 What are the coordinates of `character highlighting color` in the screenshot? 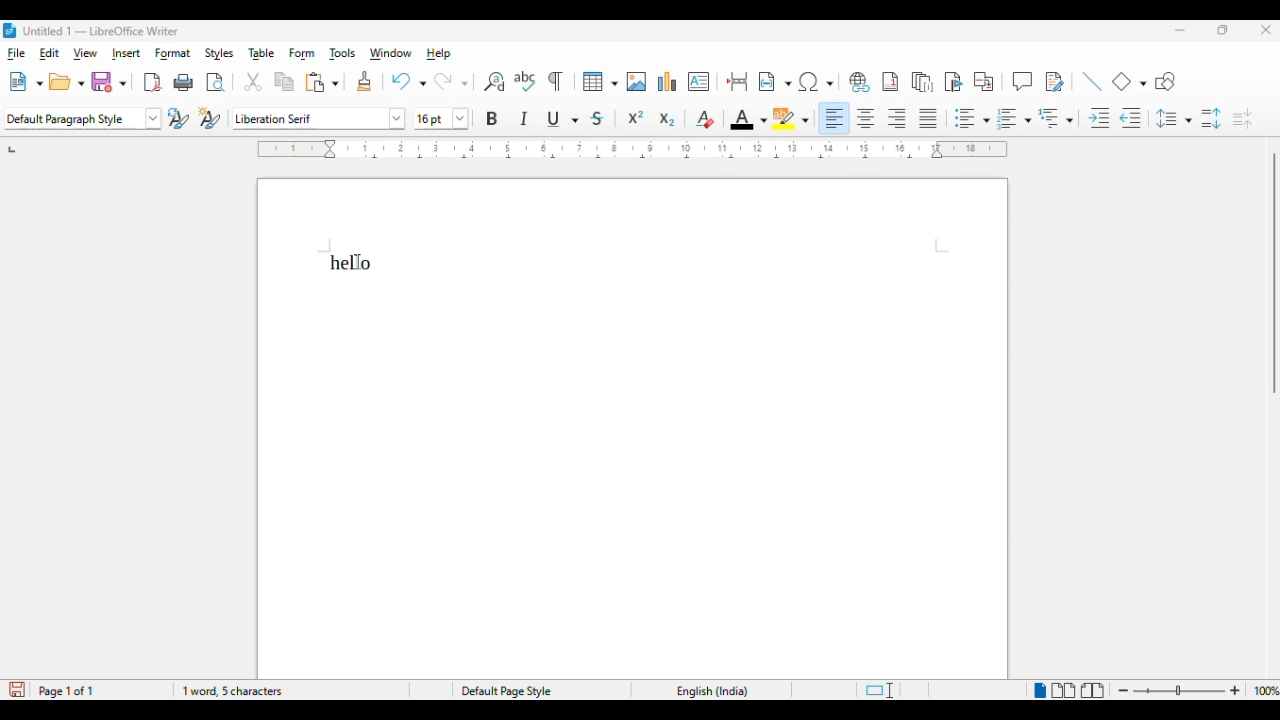 It's located at (793, 119).